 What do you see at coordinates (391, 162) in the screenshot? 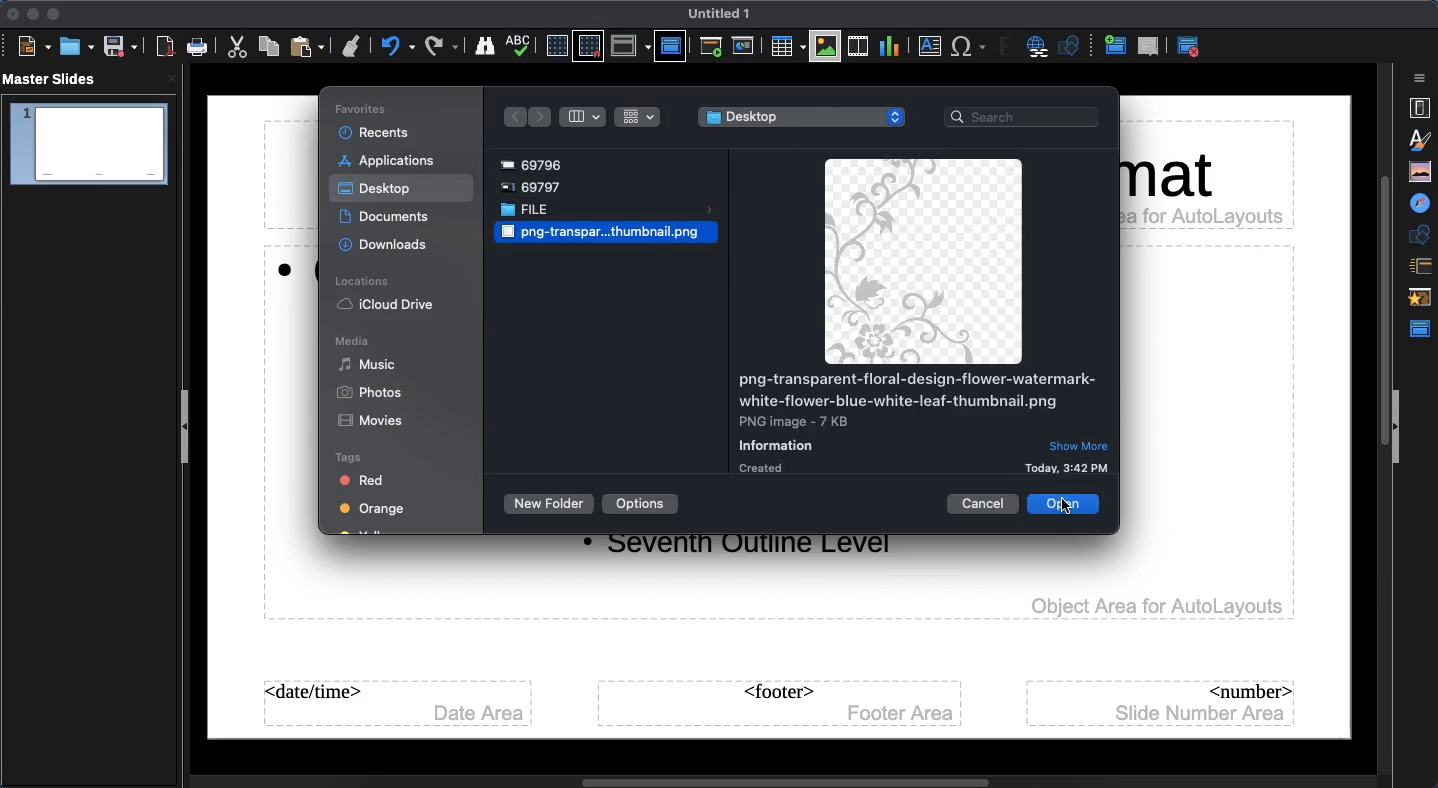
I see `Applications` at bounding box center [391, 162].